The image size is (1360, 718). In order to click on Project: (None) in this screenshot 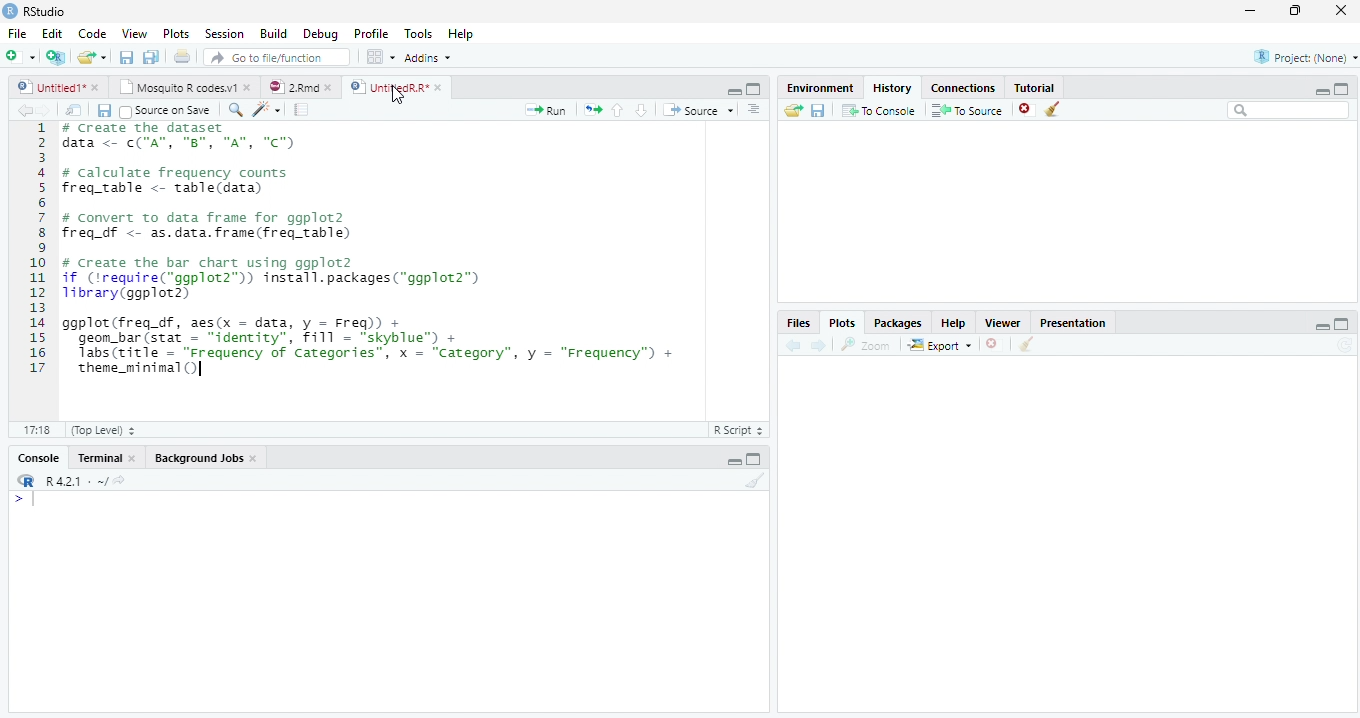, I will do `click(1299, 59)`.